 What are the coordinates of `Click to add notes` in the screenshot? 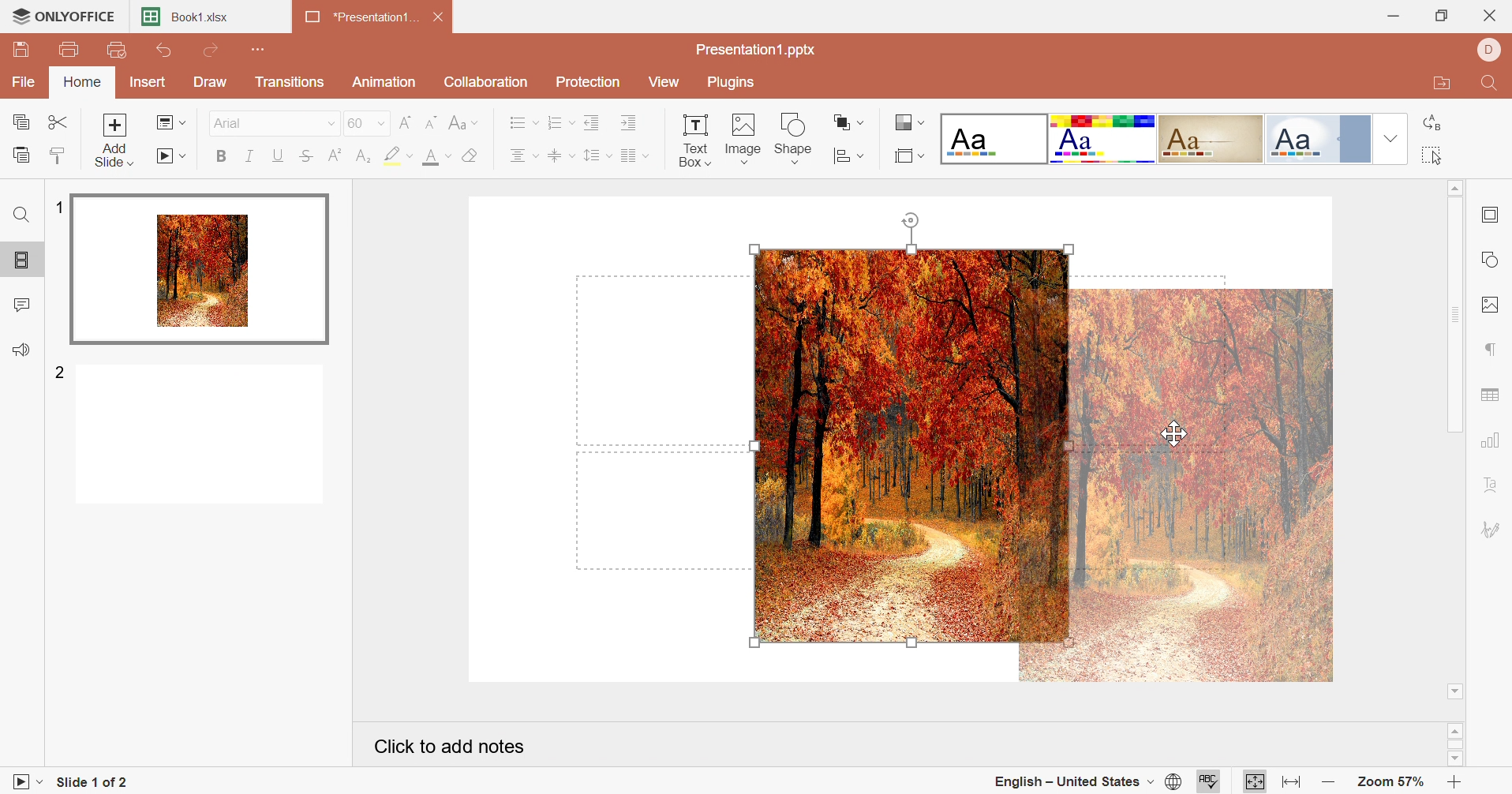 It's located at (447, 747).